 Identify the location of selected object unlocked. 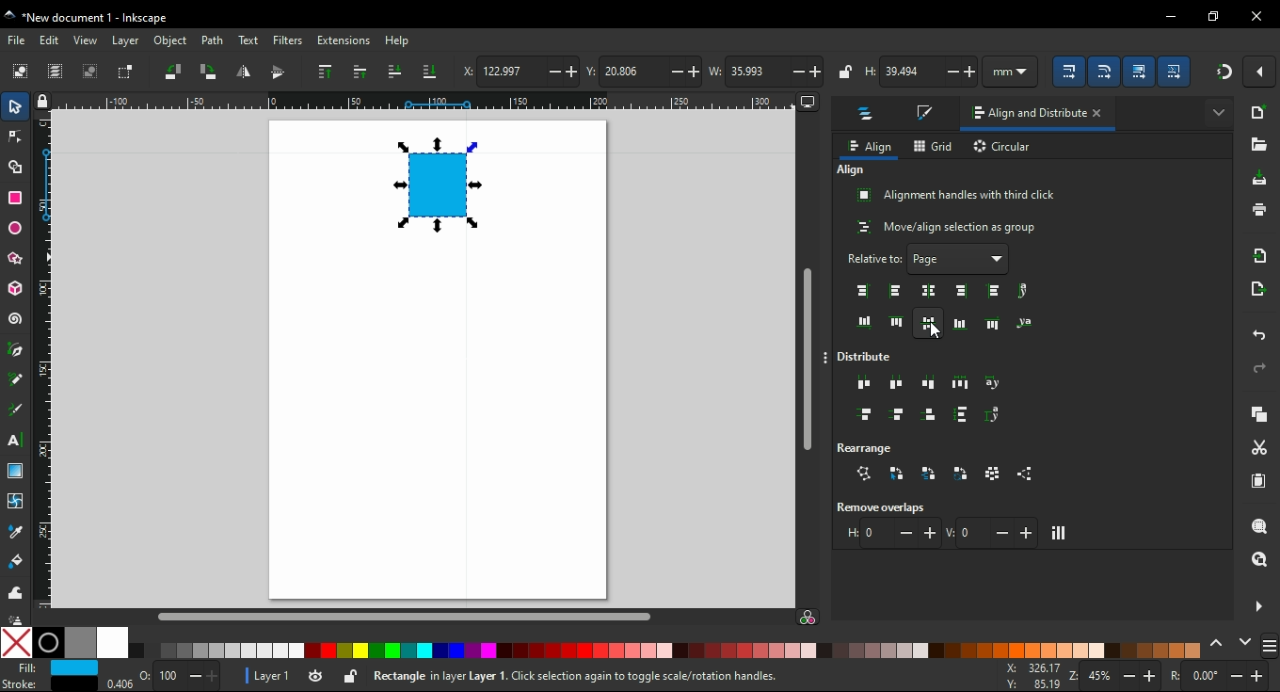
(351, 676).